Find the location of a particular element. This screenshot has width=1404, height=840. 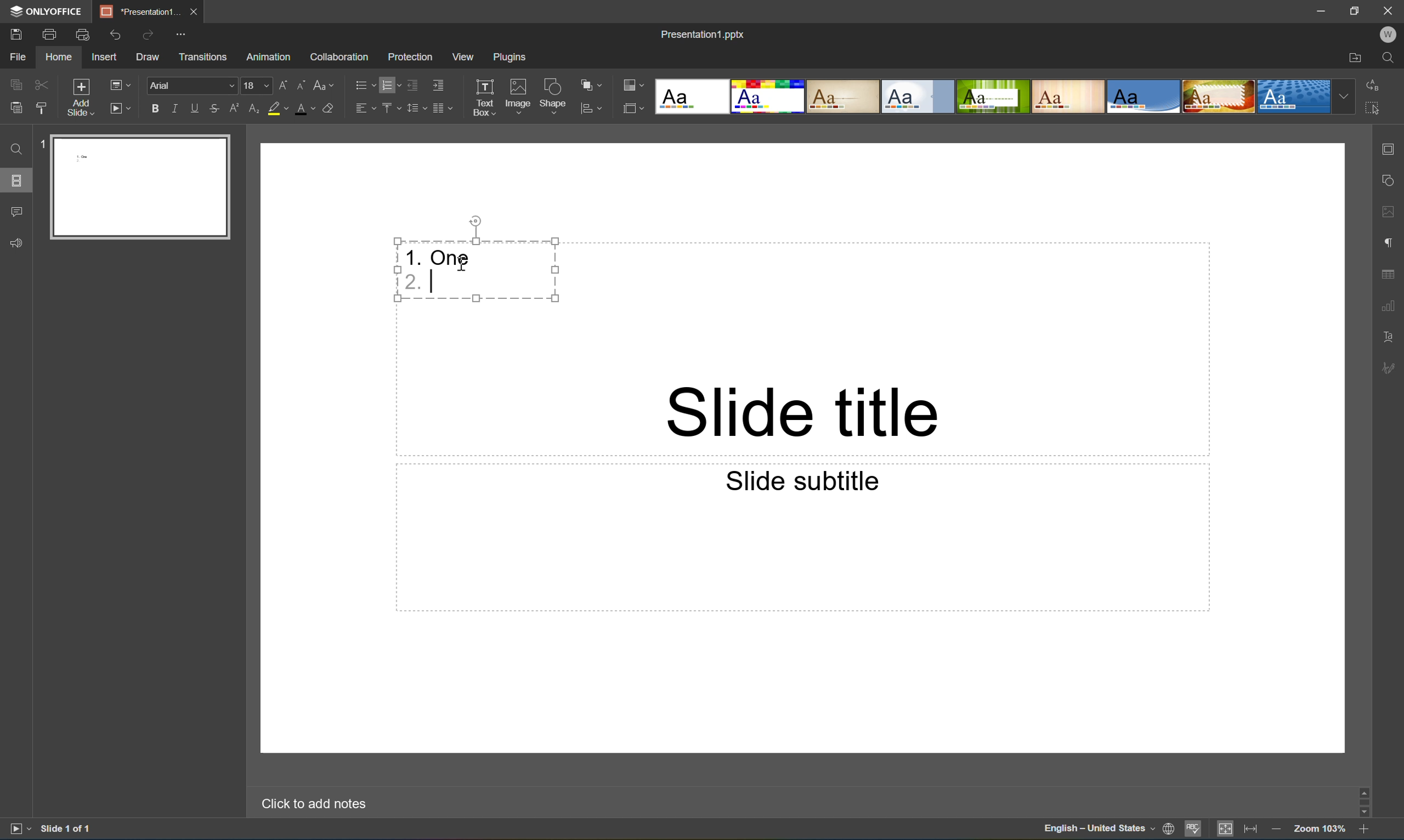

Slide title is located at coordinates (802, 412).